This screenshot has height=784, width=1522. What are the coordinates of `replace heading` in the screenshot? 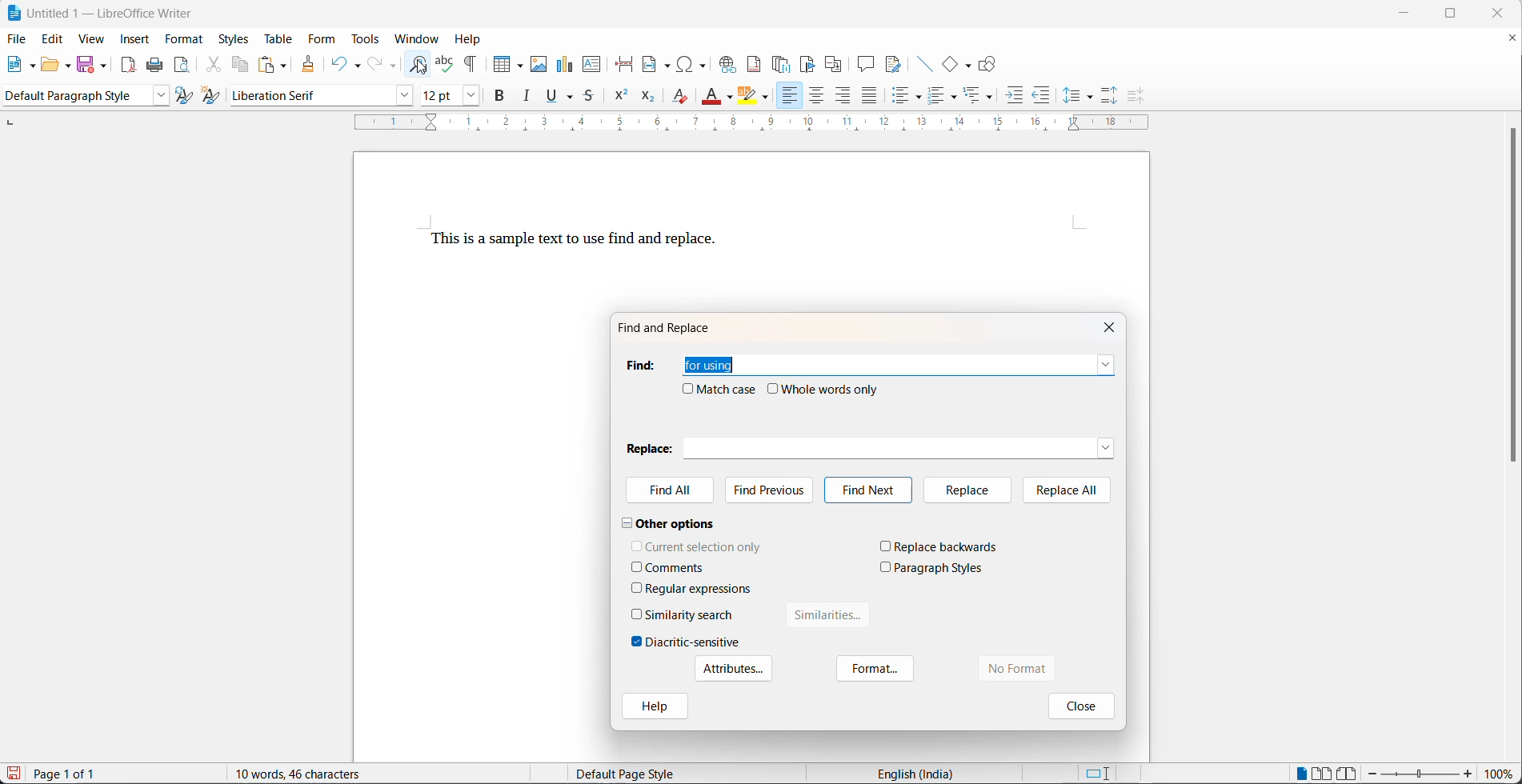 It's located at (651, 447).